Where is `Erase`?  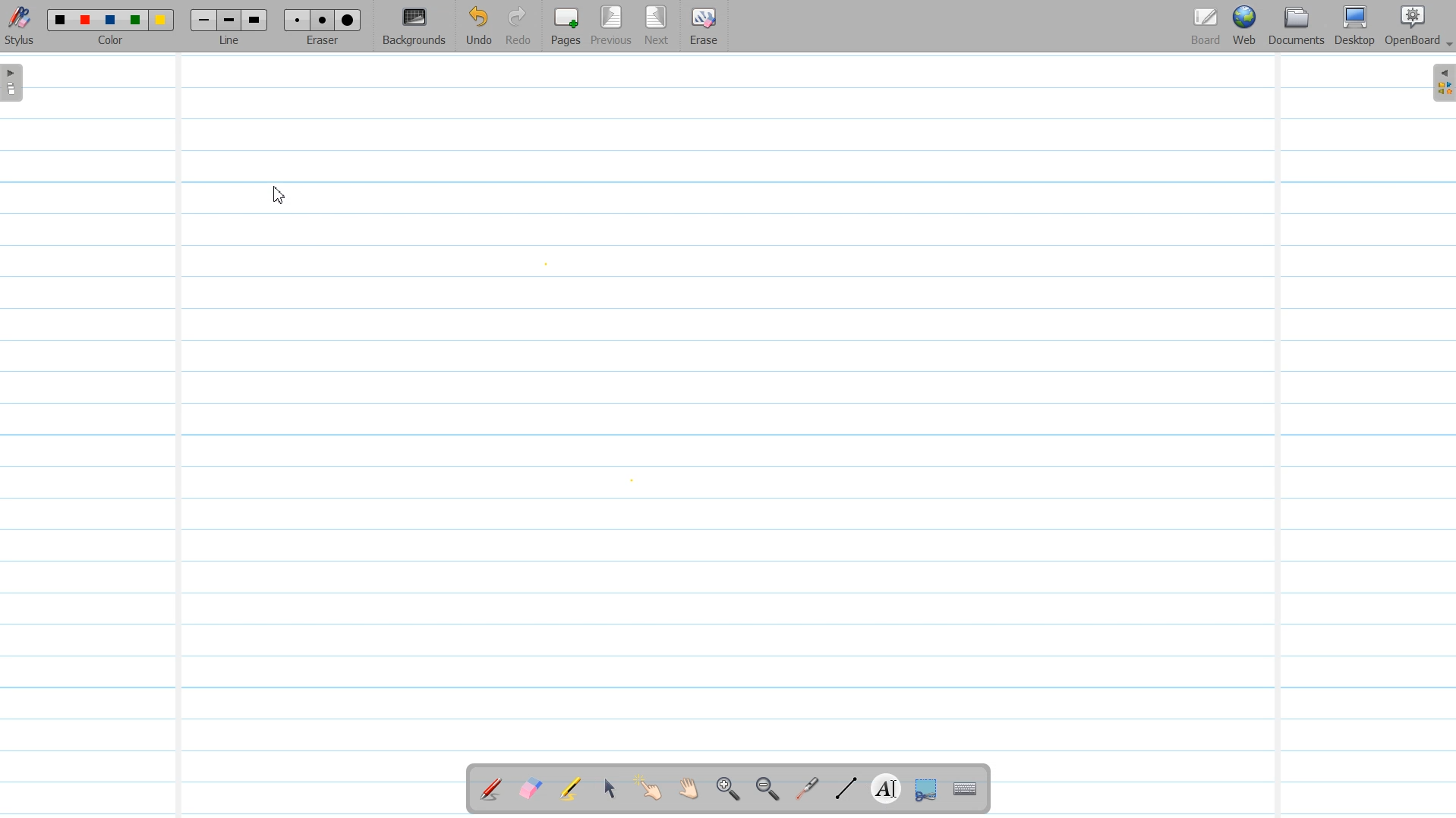 Erase is located at coordinates (702, 27).